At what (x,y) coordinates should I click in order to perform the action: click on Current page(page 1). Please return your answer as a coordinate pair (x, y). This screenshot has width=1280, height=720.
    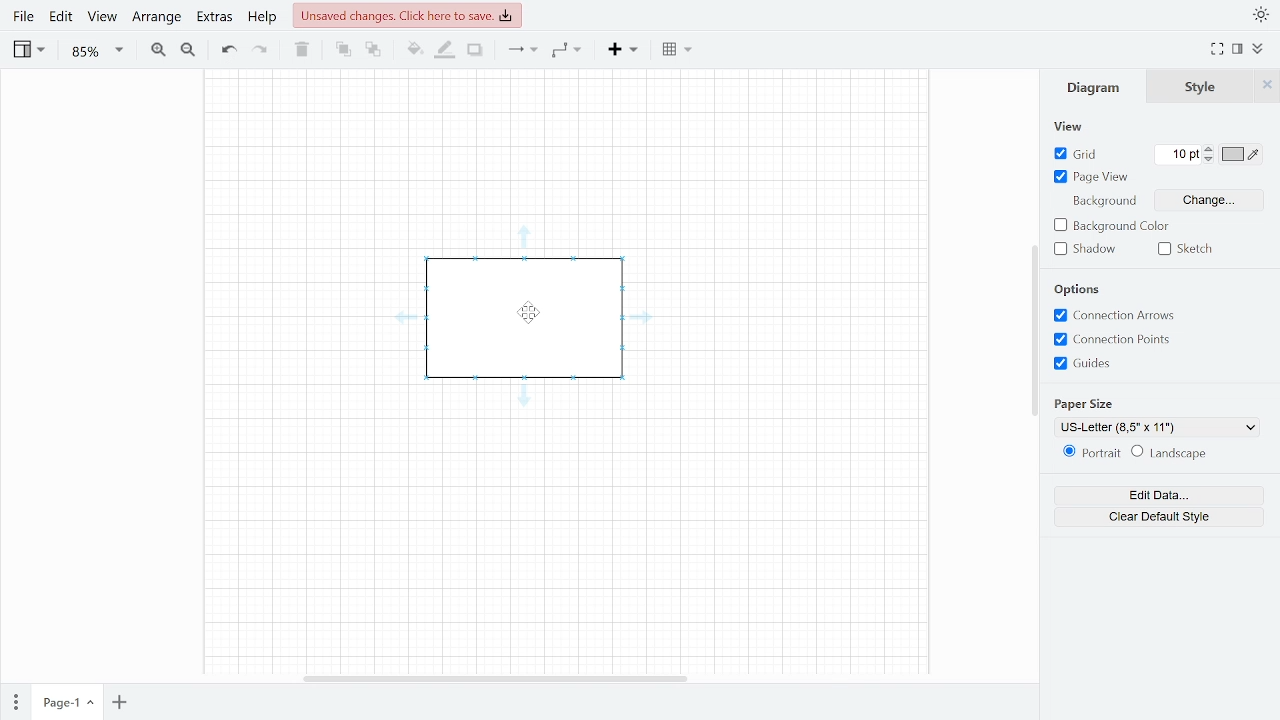
    Looking at the image, I should click on (66, 703).